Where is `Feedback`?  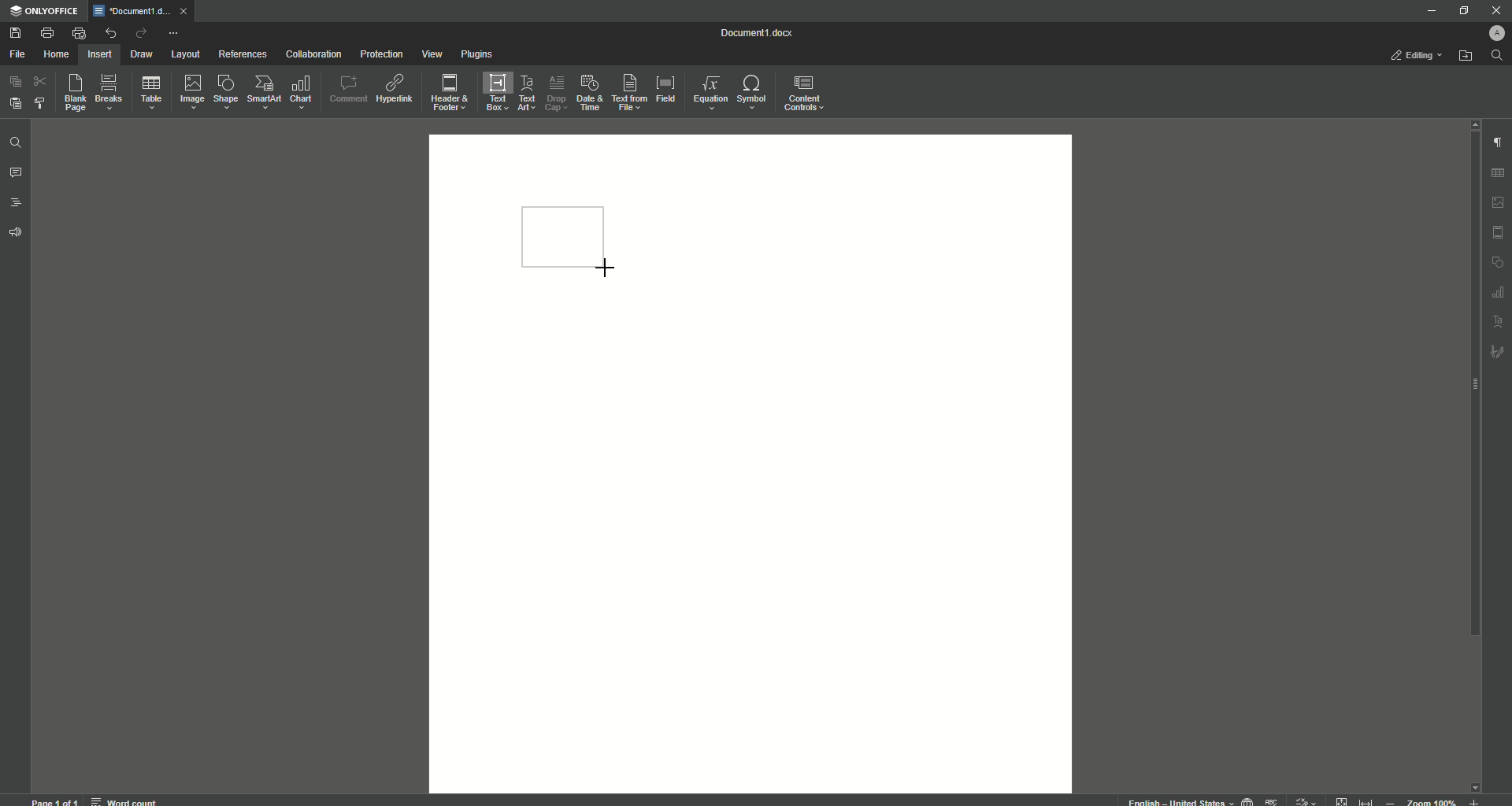 Feedback is located at coordinates (17, 233).